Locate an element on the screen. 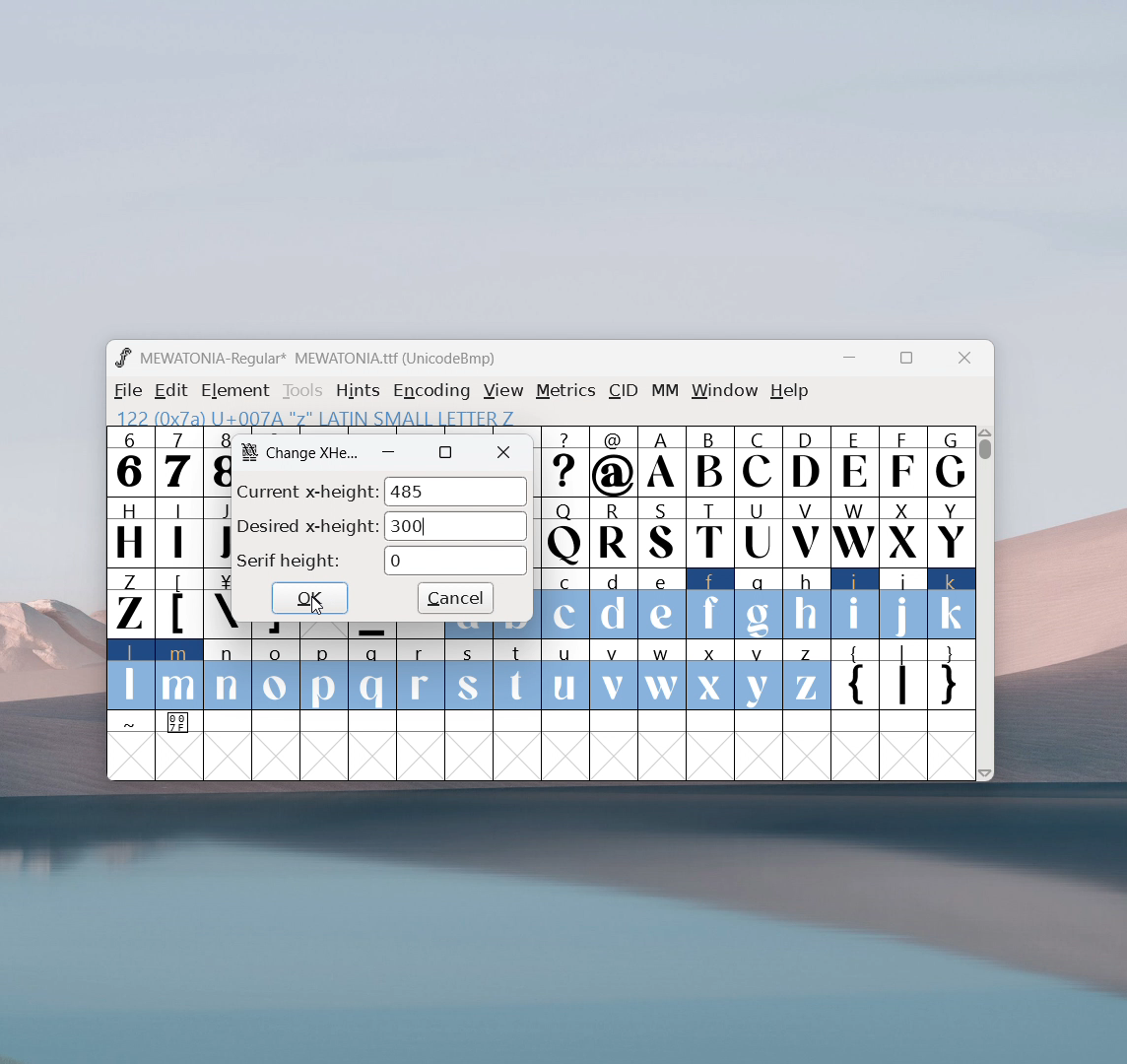 The image size is (1127, 1064). { is located at coordinates (854, 677).